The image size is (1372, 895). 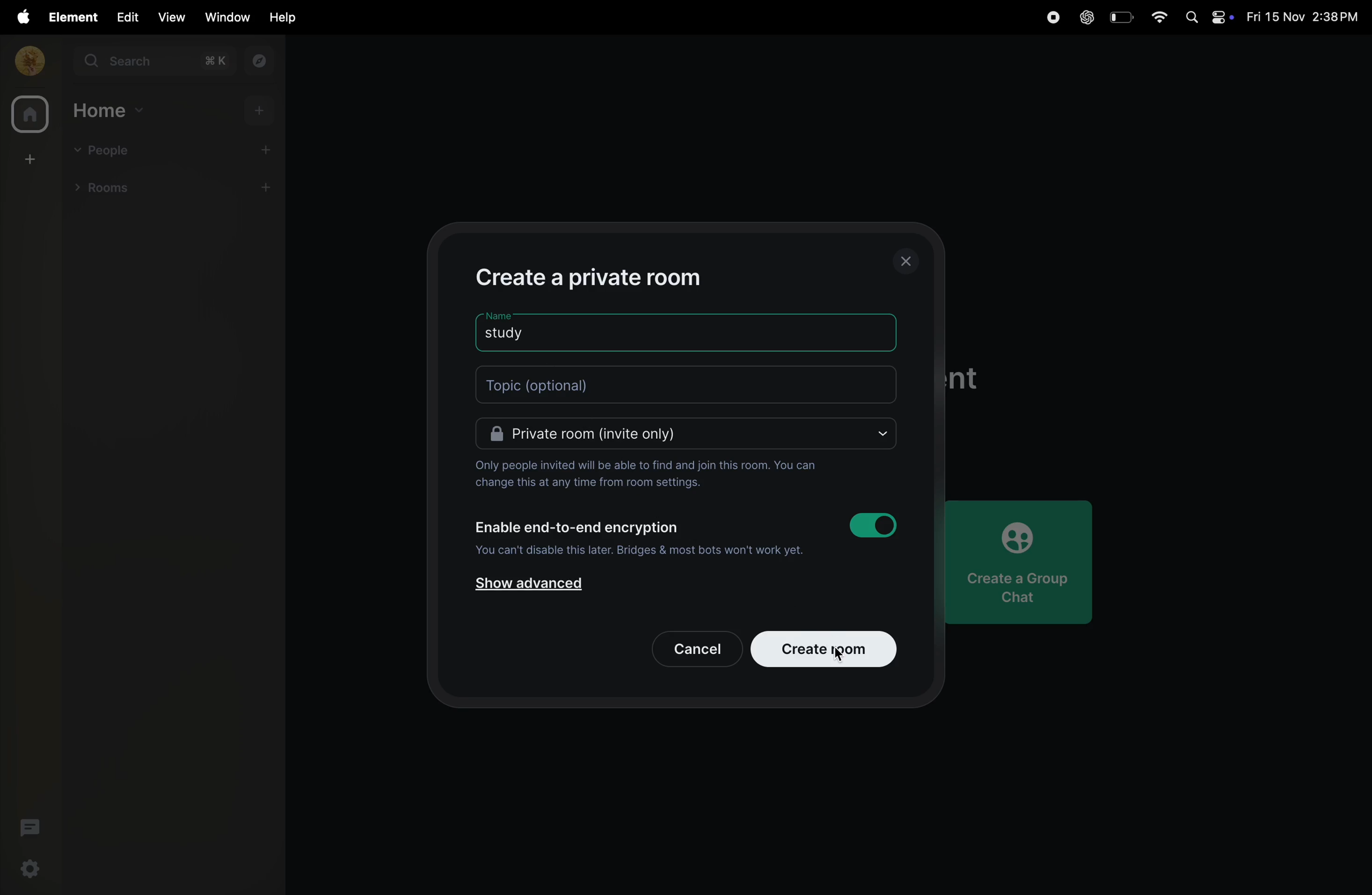 I want to click on toggle button, so click(x=875, y=528).